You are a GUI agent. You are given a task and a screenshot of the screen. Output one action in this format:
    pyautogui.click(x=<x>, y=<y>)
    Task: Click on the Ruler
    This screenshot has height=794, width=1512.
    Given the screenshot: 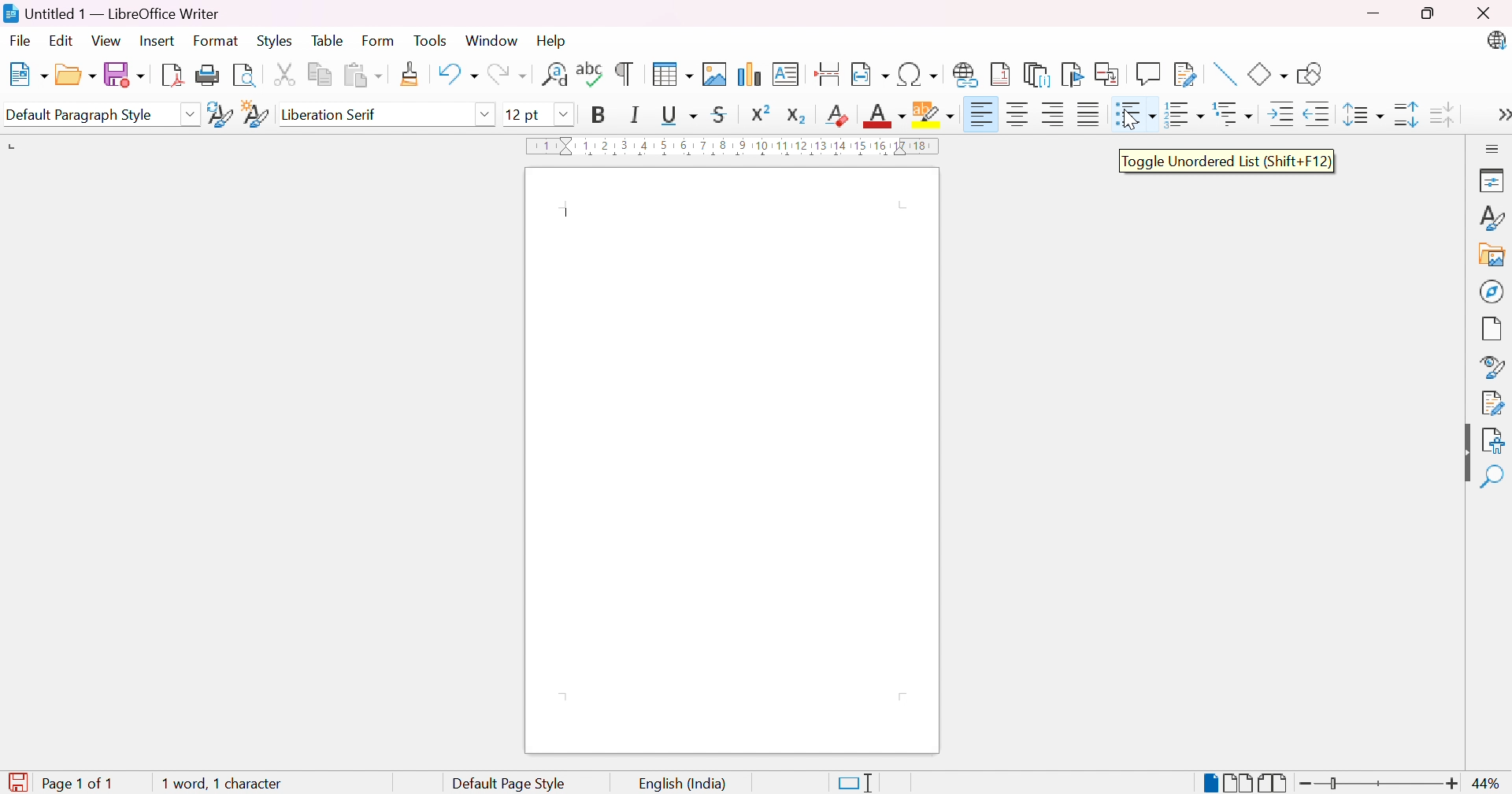 What is the action you would take?
    pyautogui.click(x=737, y=147)
    